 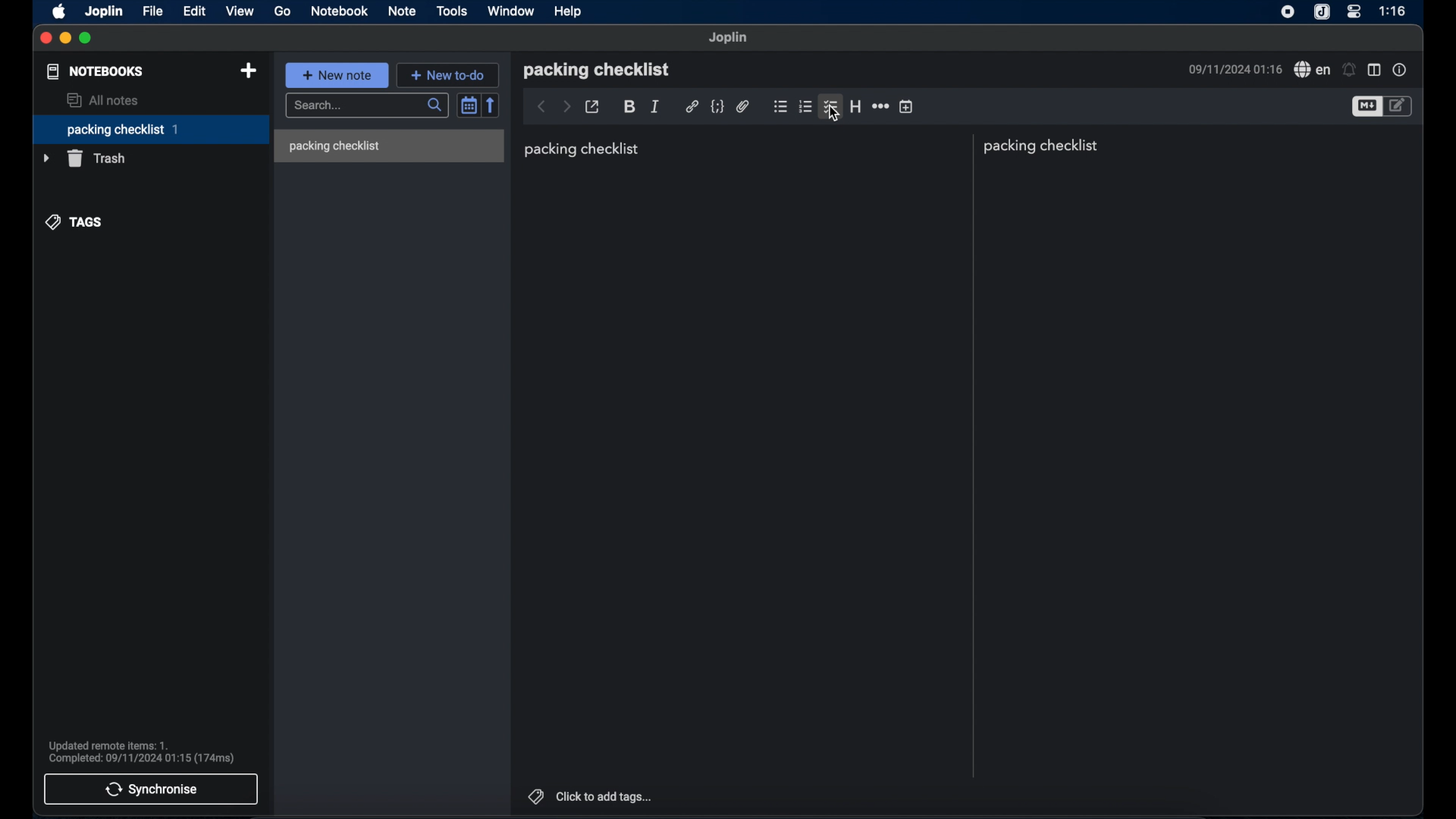 What do you see at coordinates (1044, 146) in the screenshot?
I see `packing checklist` at bounding box center [1044, 146].